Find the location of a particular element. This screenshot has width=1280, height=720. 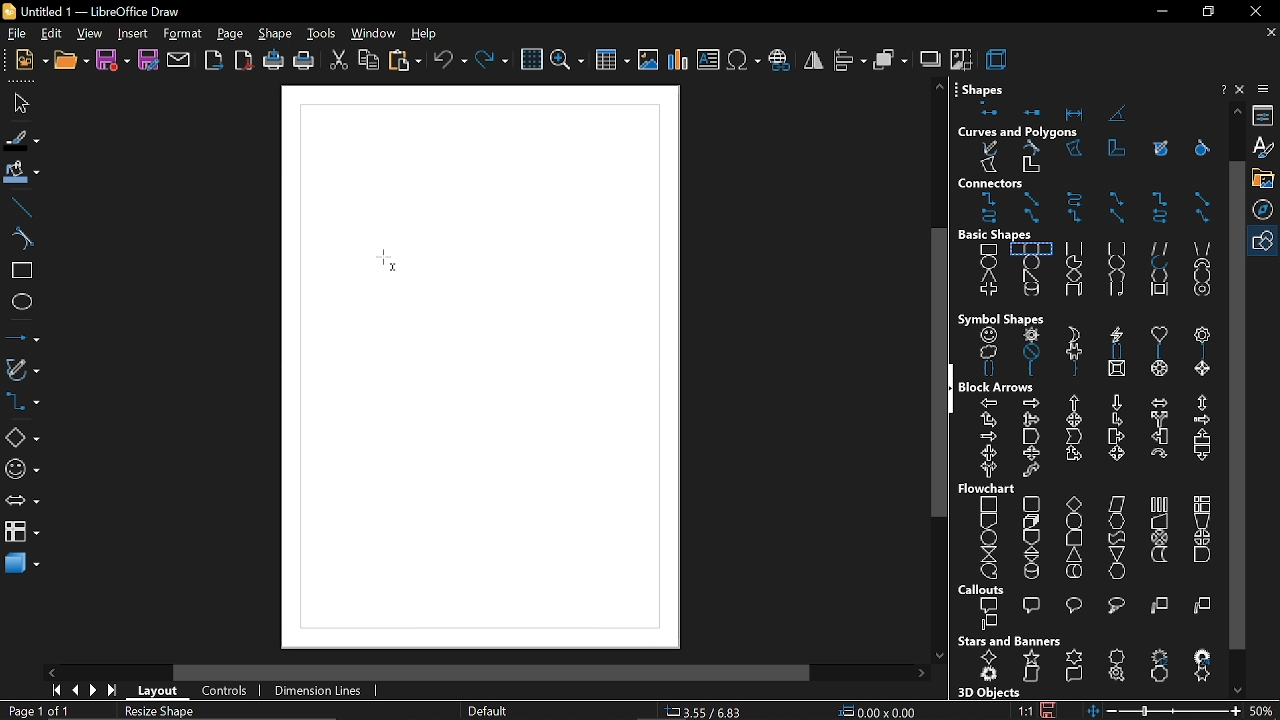

gallery is located at coordinates (1266, 179).